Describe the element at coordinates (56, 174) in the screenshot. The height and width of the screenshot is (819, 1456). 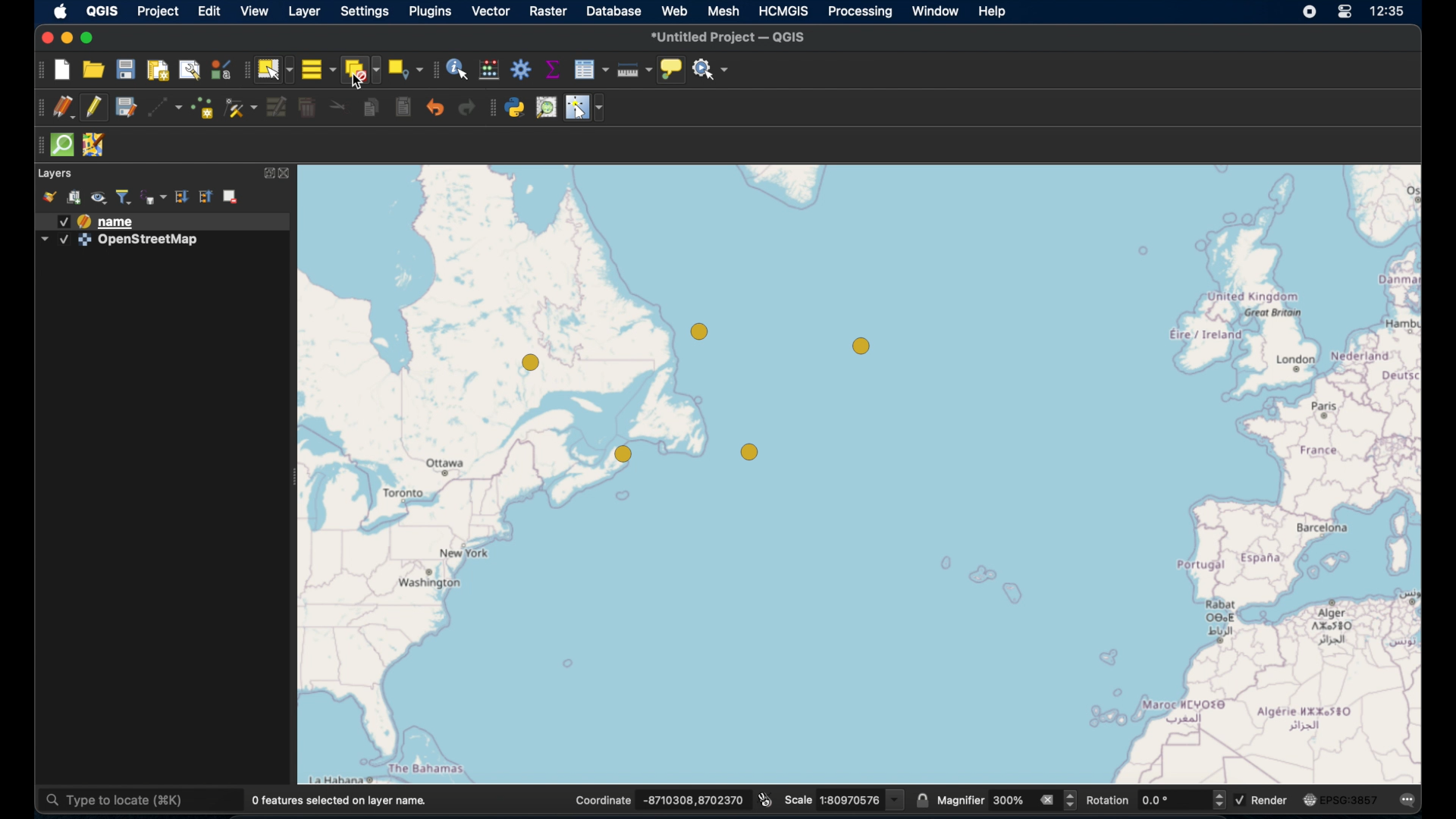
I see `layers` at that location.